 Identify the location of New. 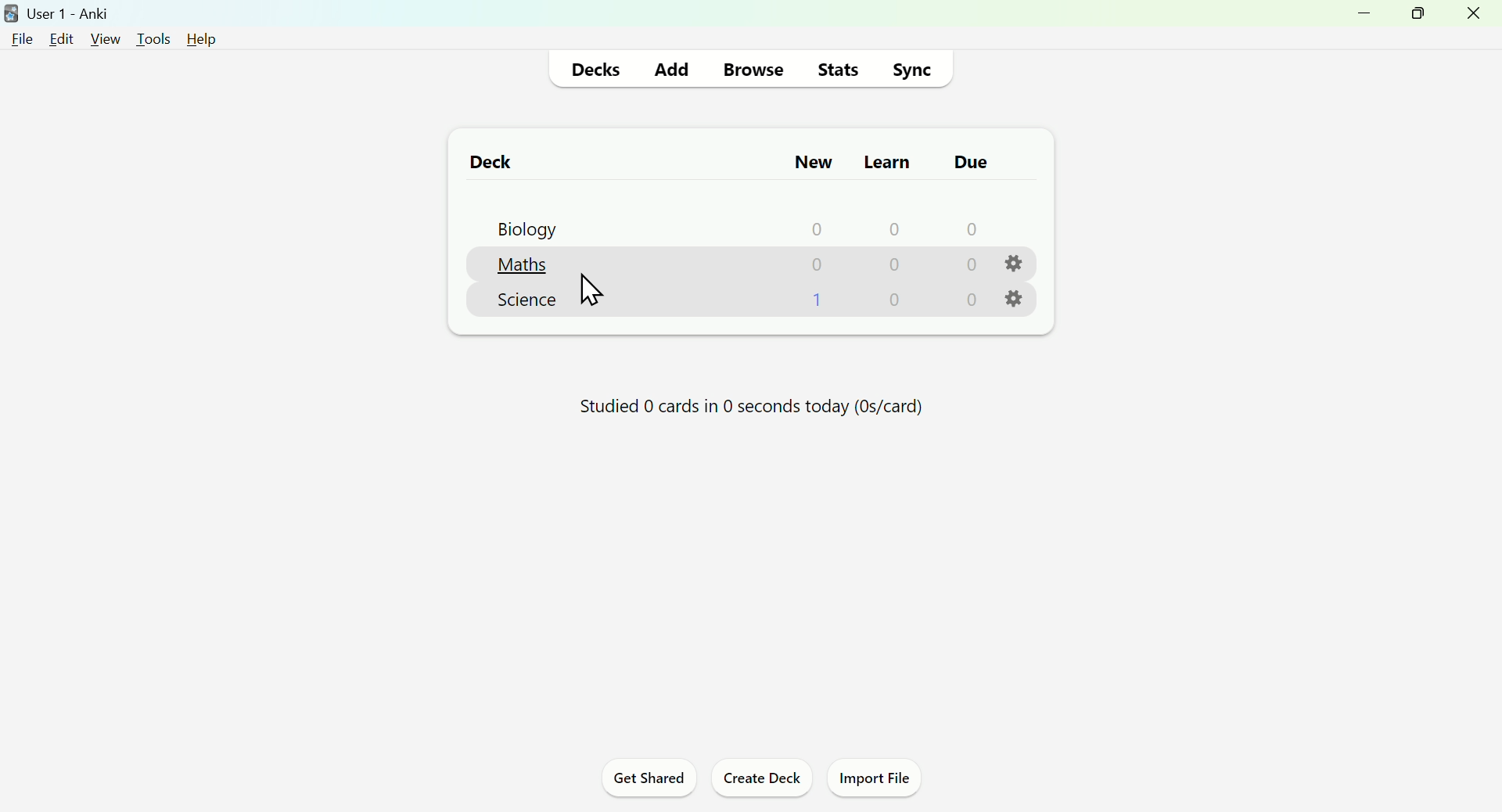
(814, 163).